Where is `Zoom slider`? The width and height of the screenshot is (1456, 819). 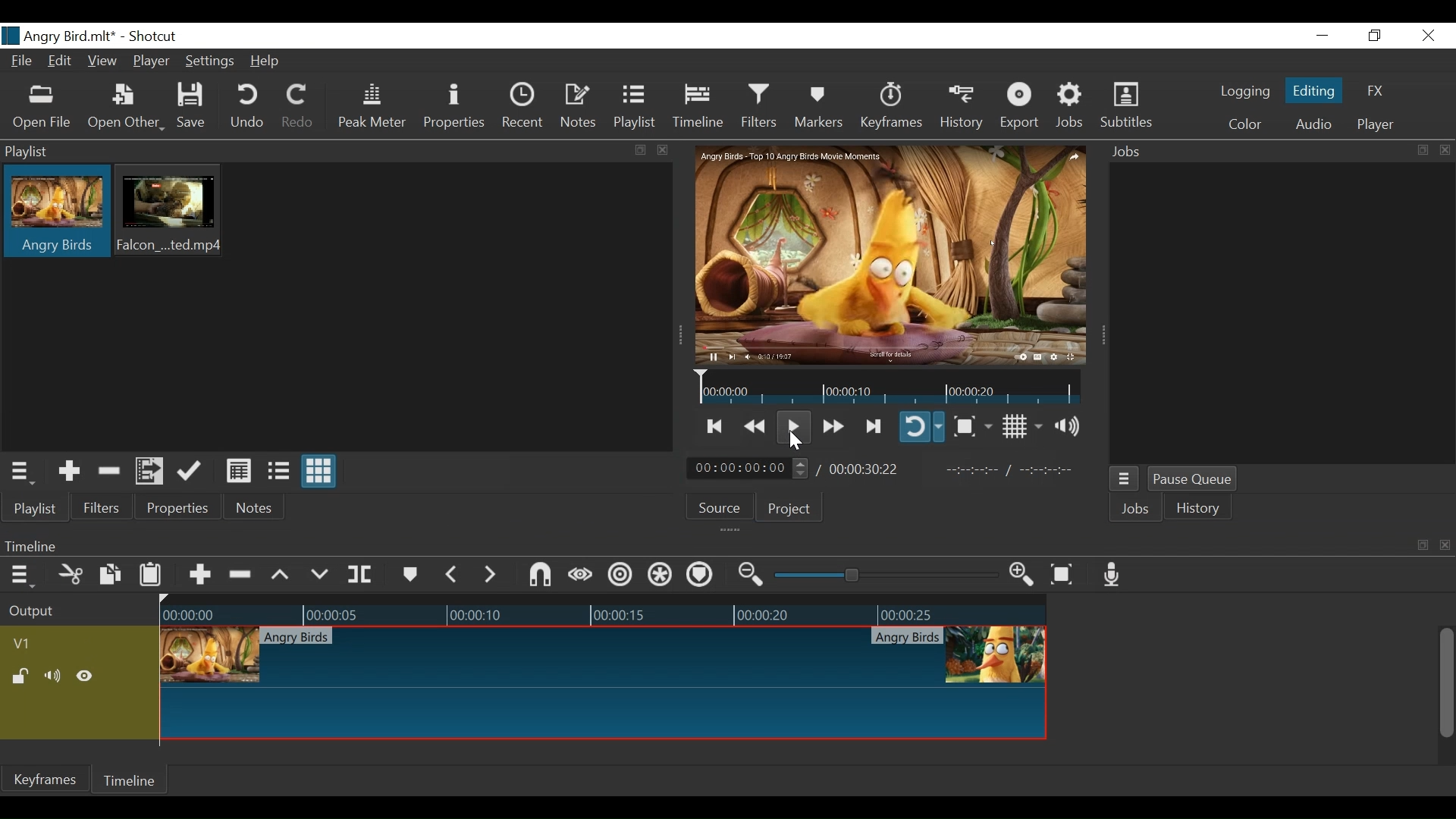 Zoom slider is located at coordinates (883, 577).